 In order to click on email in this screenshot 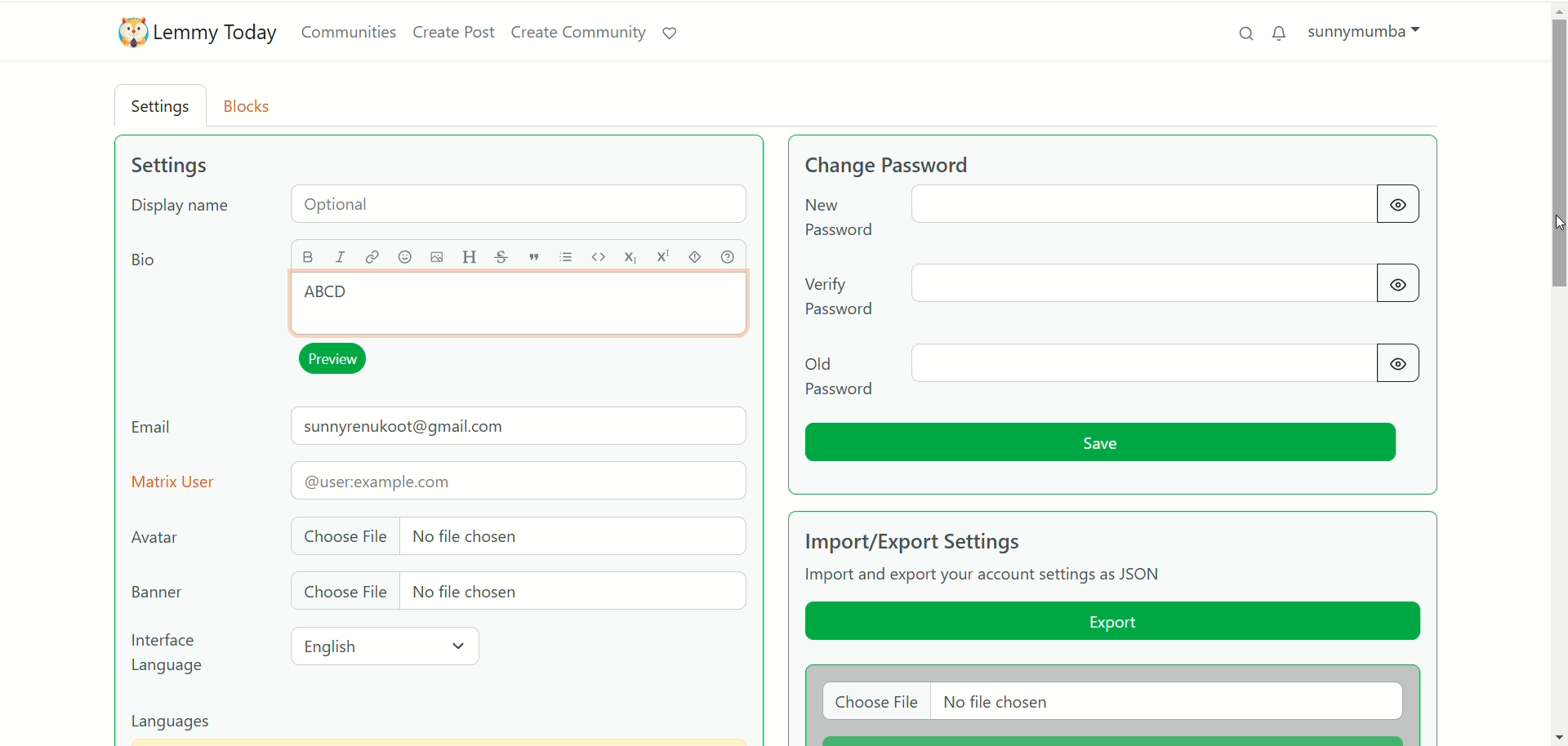, I will do `click(439, 430)`.